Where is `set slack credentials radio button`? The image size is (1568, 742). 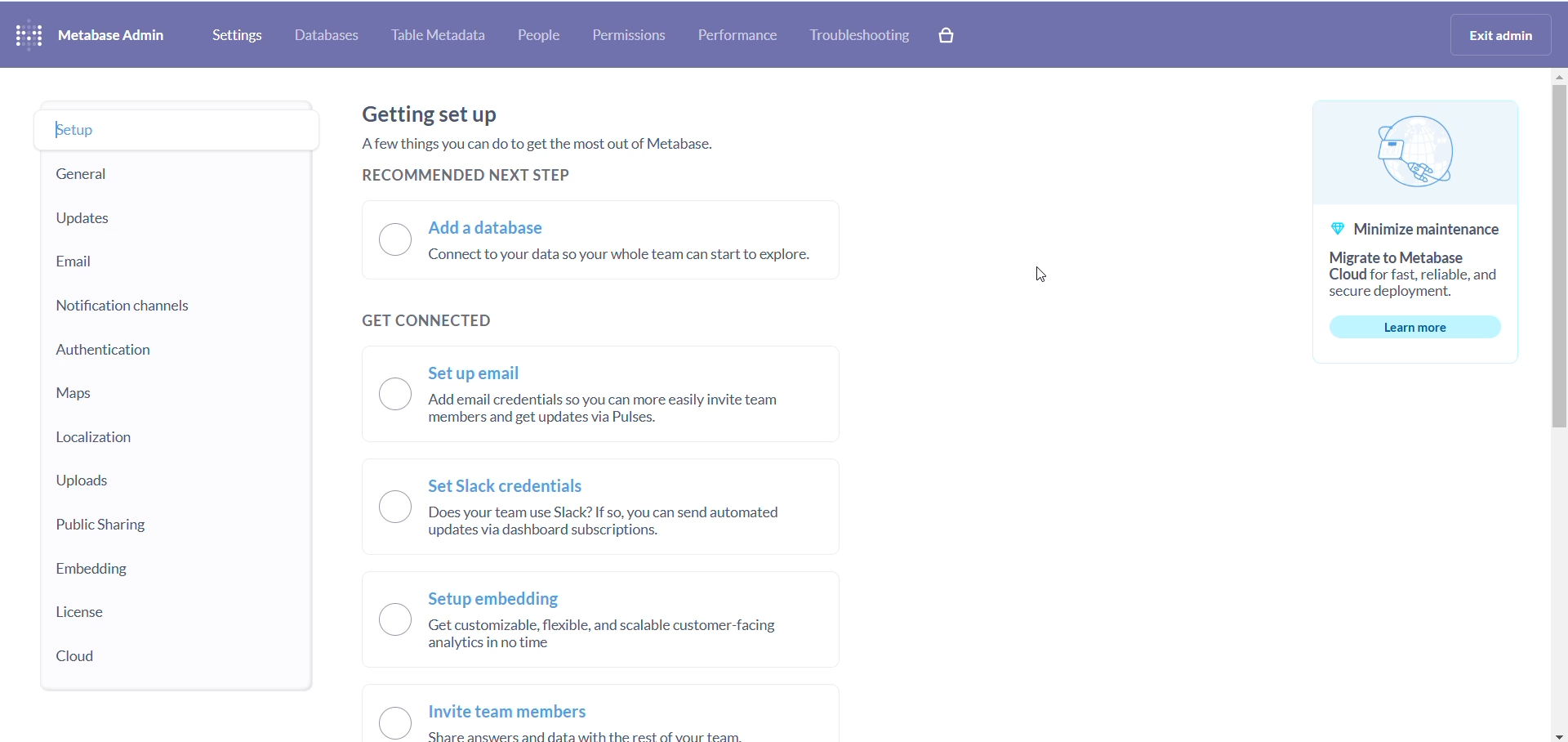
set slack credentials radio button is located at coordinates (379, 508).